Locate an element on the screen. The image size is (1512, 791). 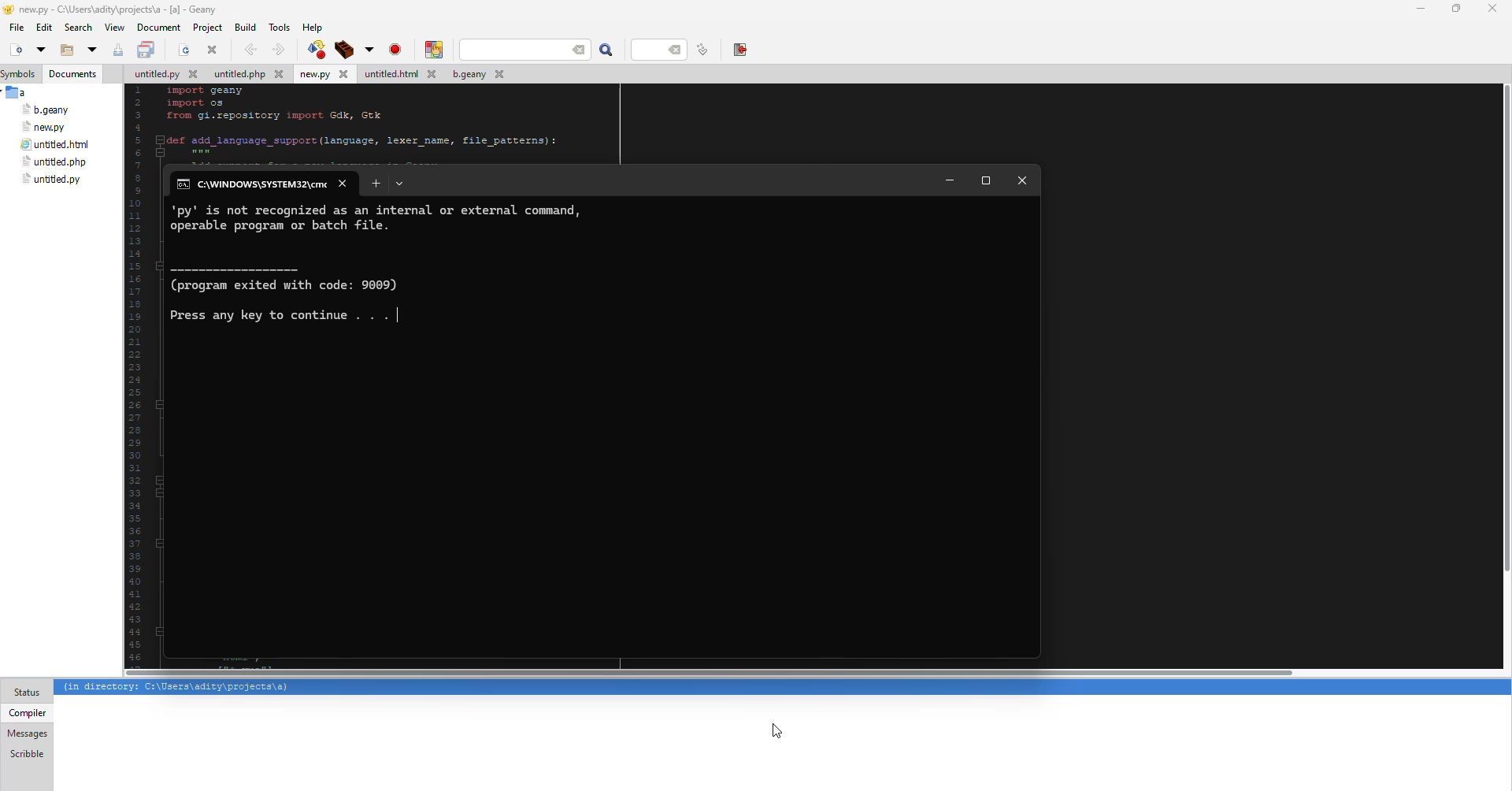
file is located at coordinates (477, 74).